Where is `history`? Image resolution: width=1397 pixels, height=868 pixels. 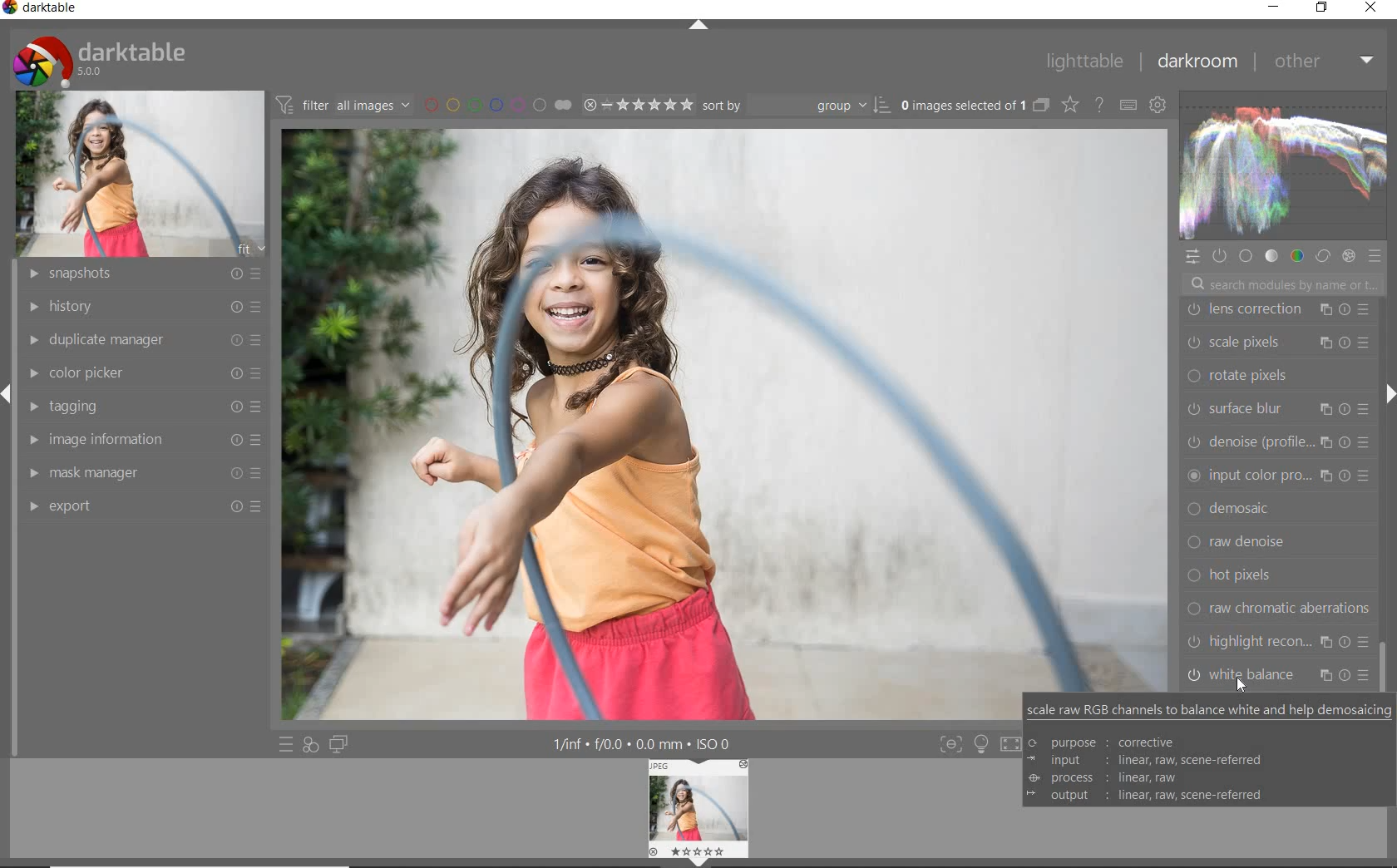
history is located at coordinates (139, 305).